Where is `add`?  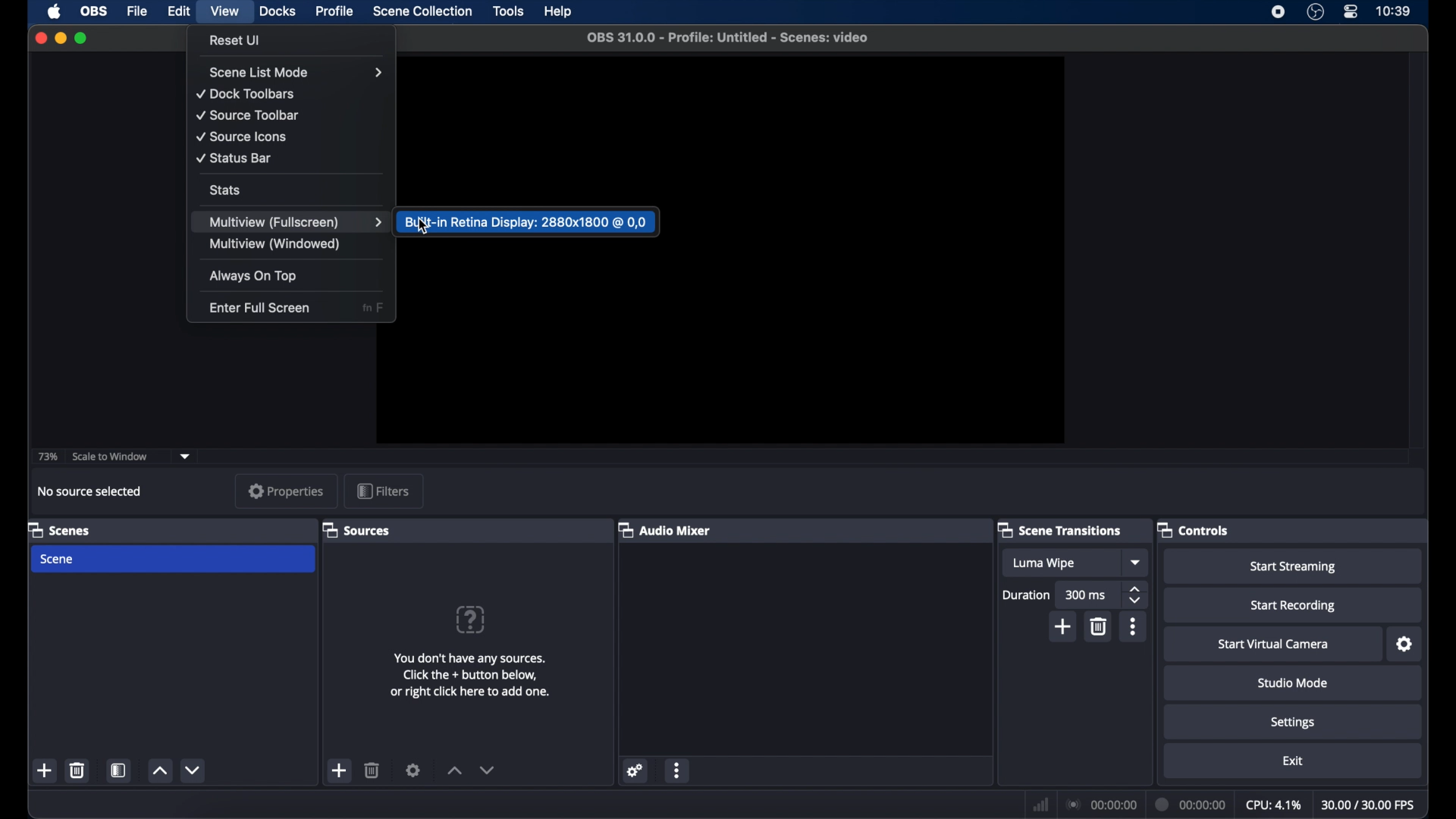 add is located at coordinates (45, 770).